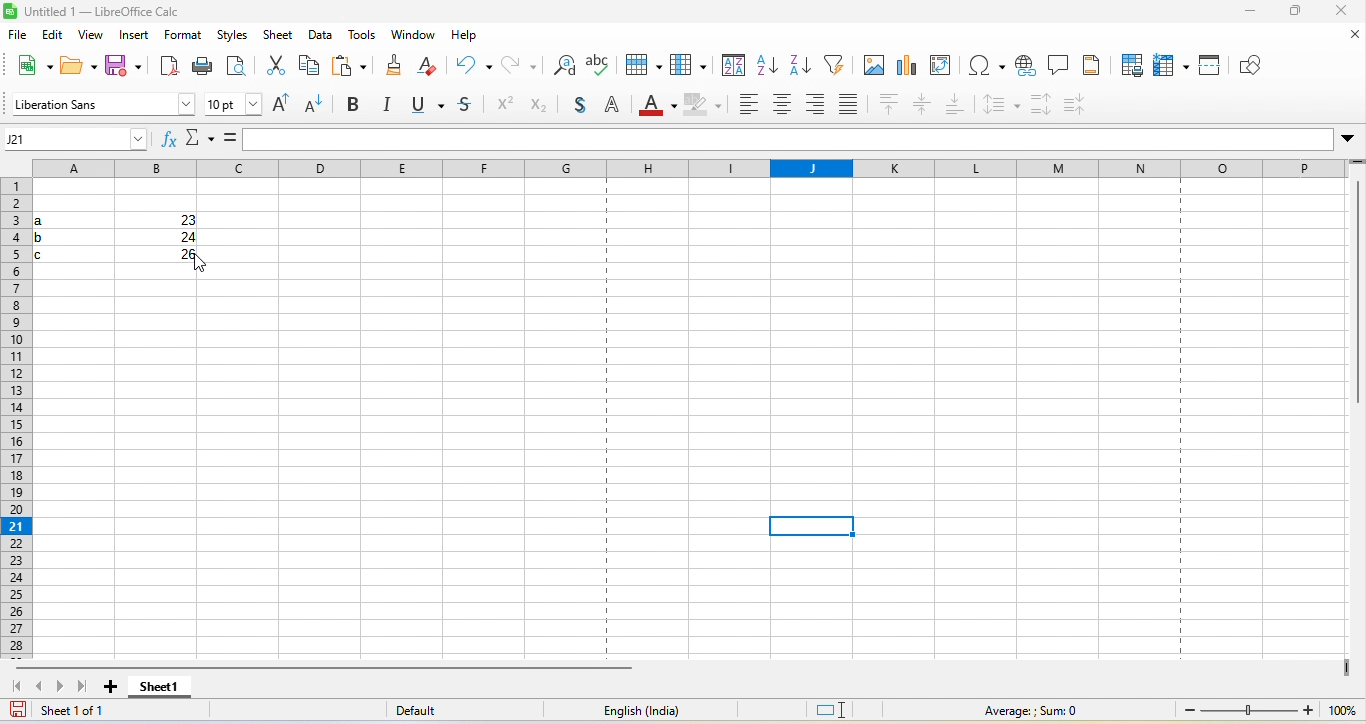 The height and width of the screenshot is (724, 1366). I want to click on save, so click(122, 69).